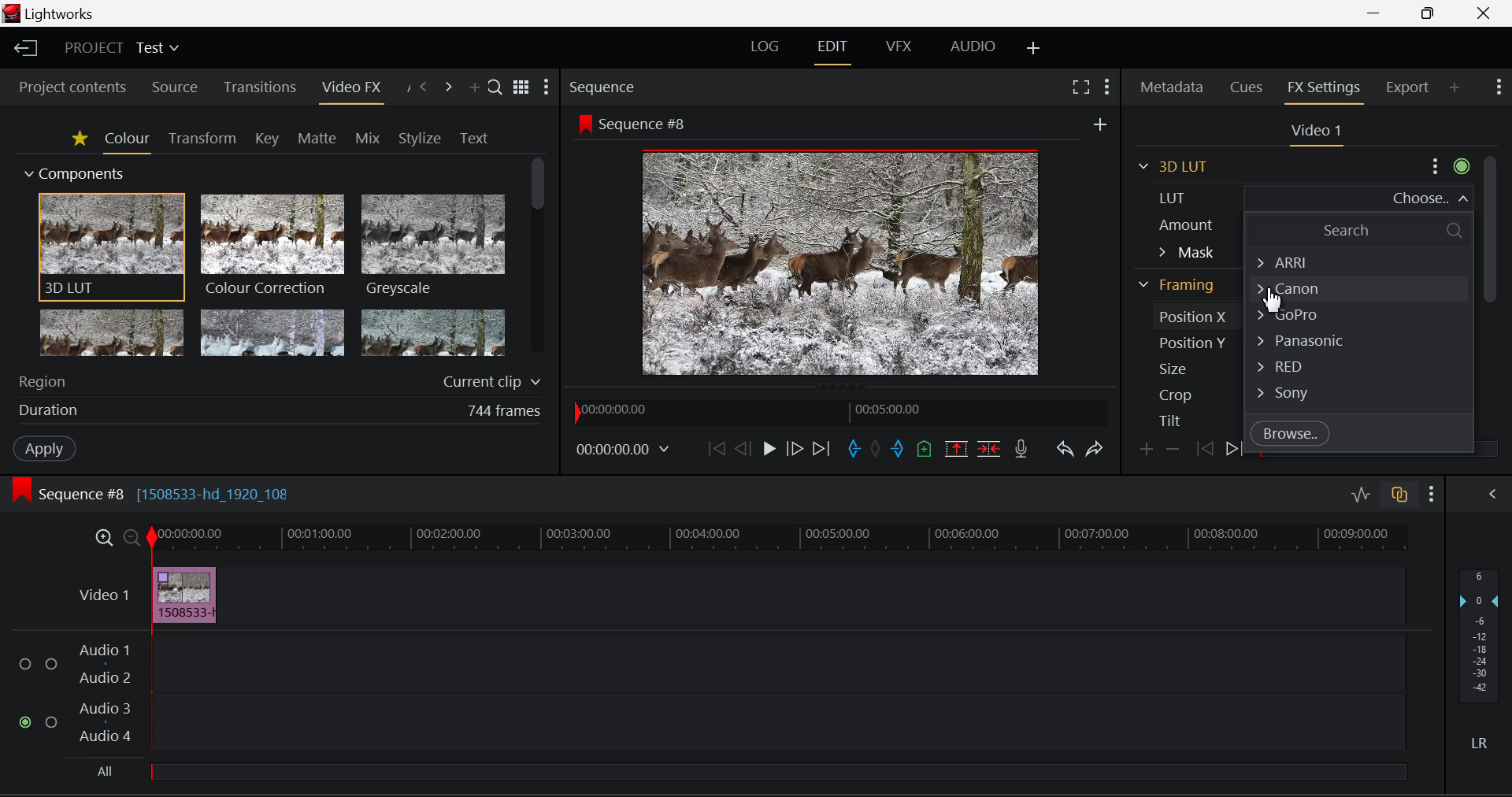 The width and height of the screenshot is (1512, 797). I want to click on Video Layer, so click(103, 595).